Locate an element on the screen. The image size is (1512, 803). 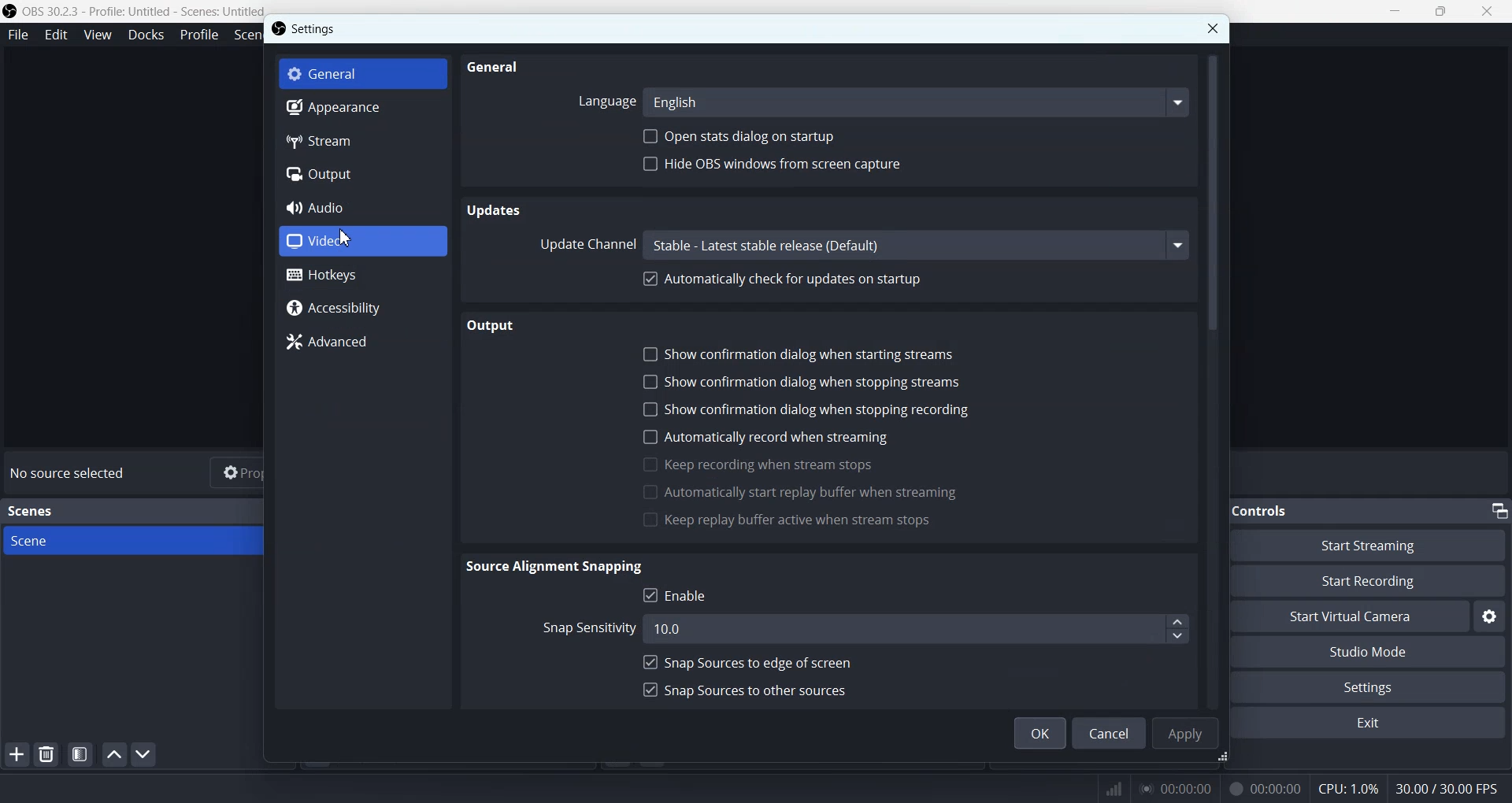
checkbox is located at coordinates (648, 688).